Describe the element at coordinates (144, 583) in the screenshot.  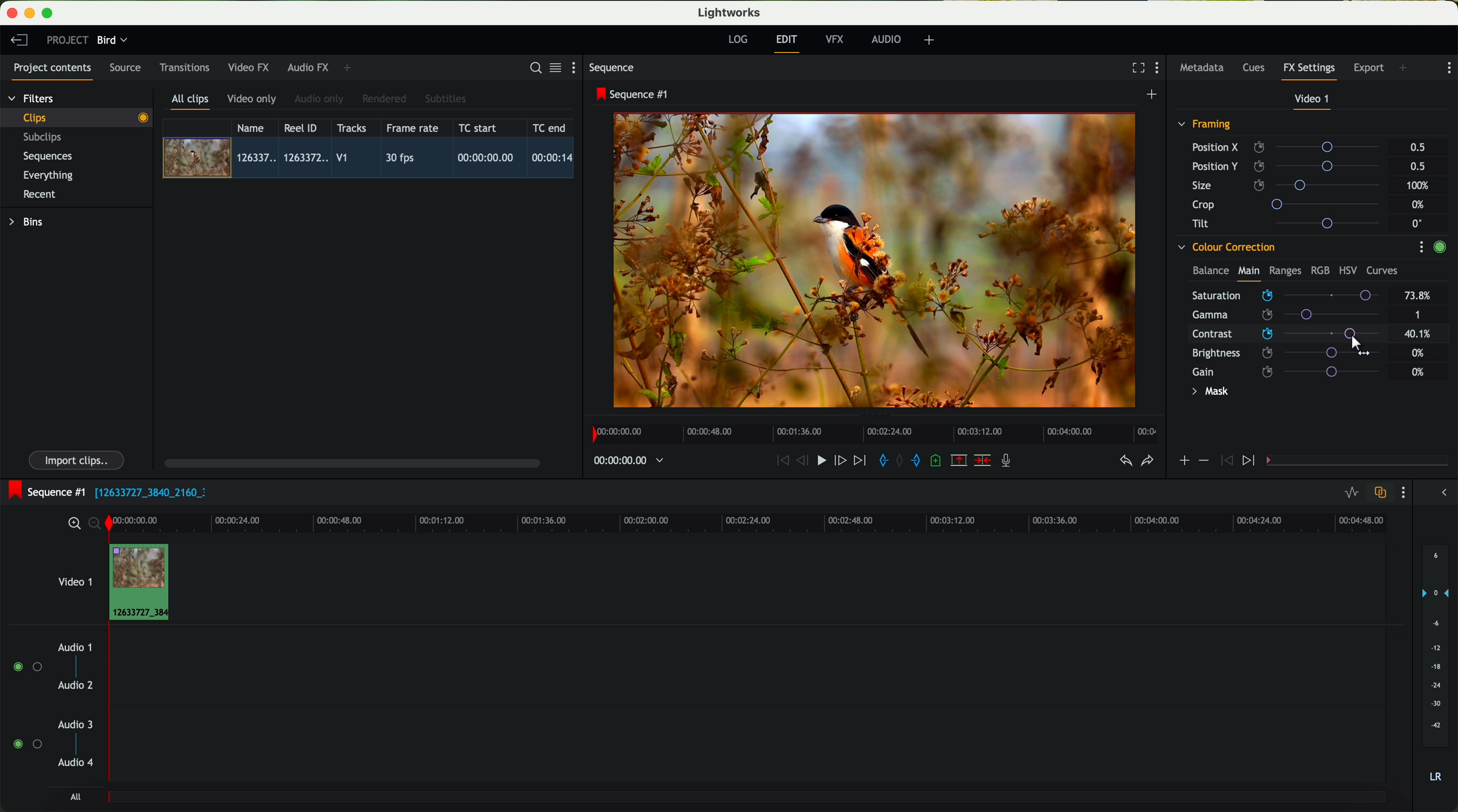
I see `drag video to video track 1` at that location.